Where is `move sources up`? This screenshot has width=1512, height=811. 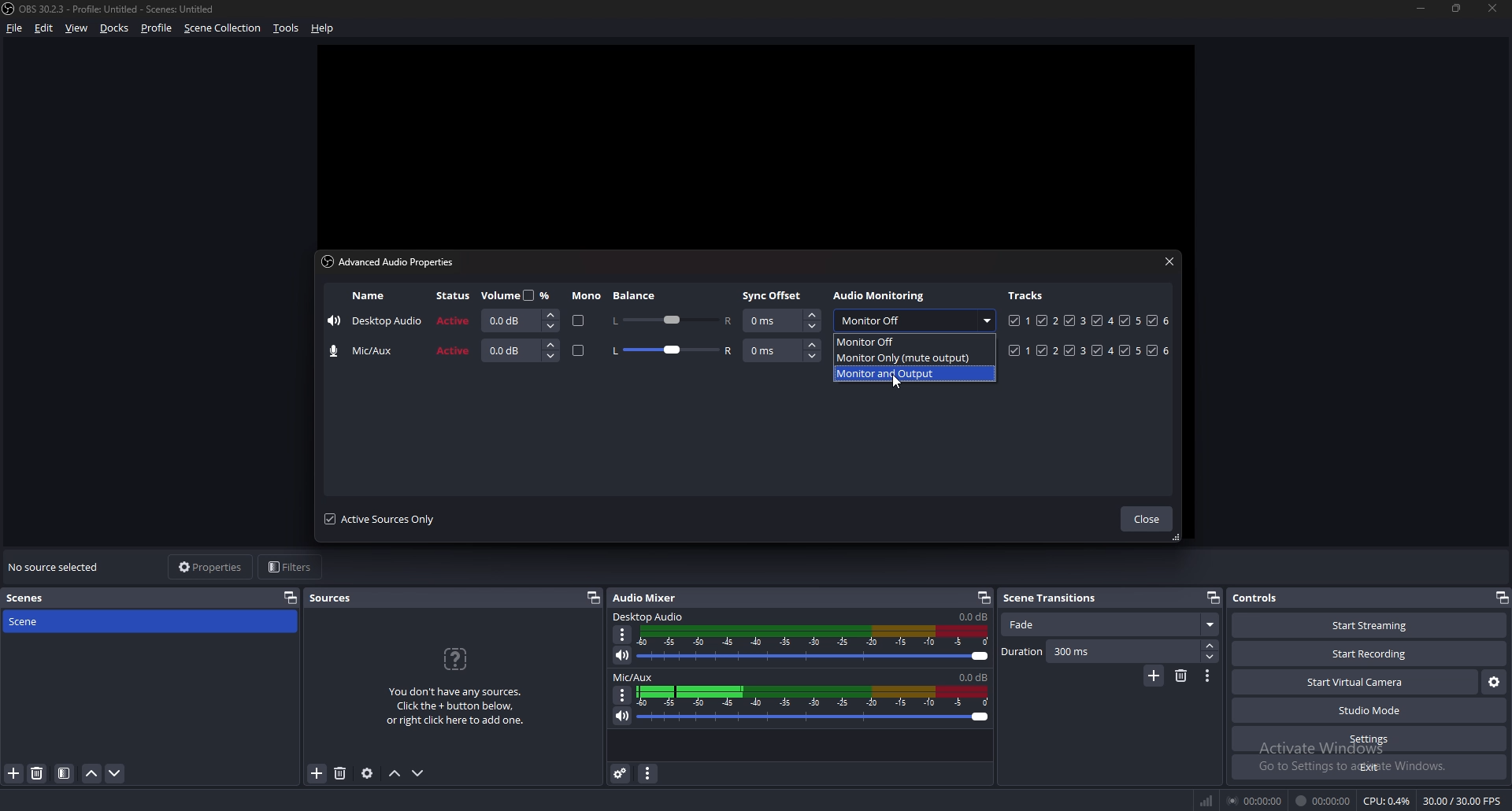
move sources up is located at coordinates (395, 773).